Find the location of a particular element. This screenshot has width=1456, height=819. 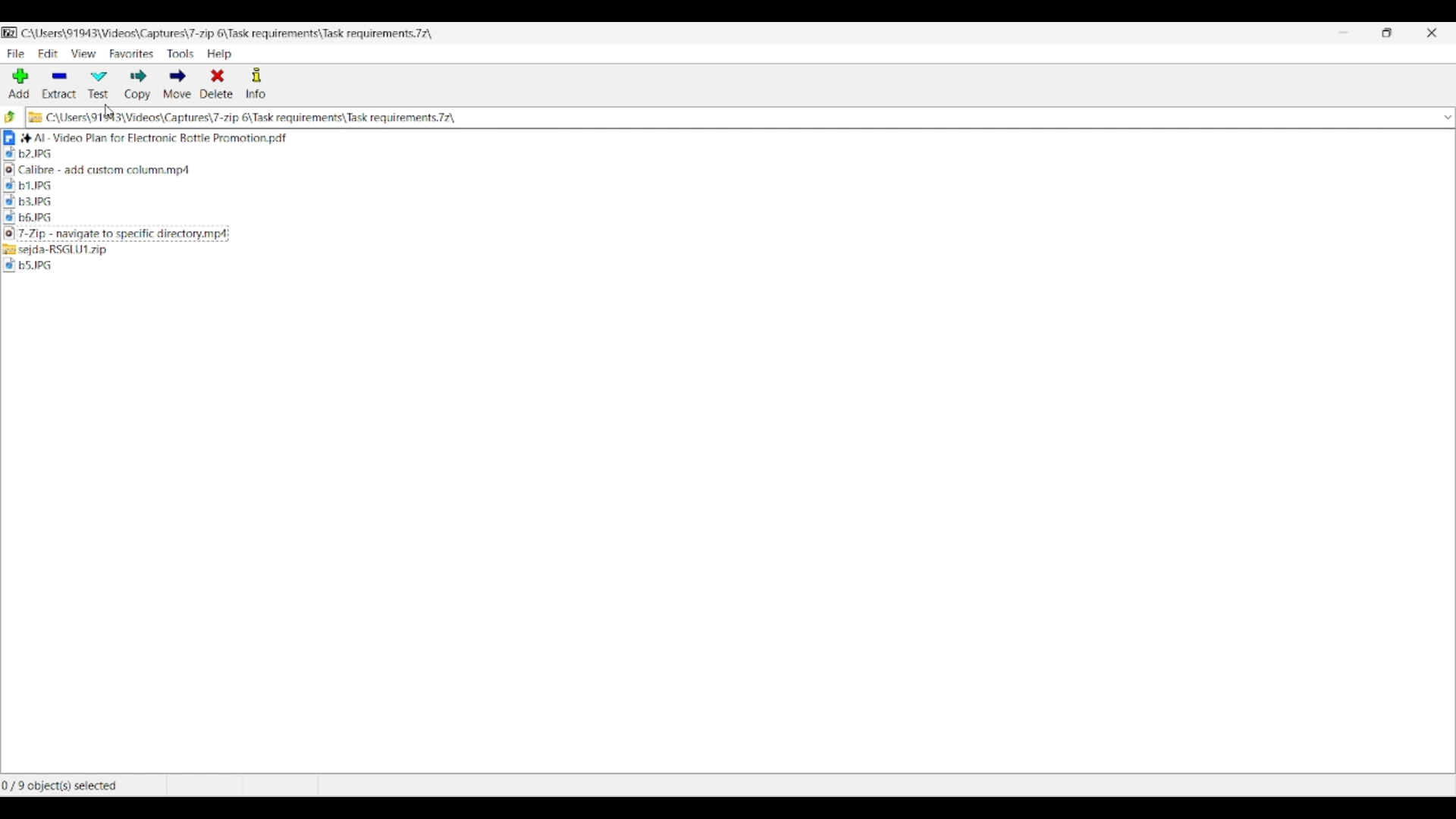

0/9 objects selected is located at coordinates (81, 786).